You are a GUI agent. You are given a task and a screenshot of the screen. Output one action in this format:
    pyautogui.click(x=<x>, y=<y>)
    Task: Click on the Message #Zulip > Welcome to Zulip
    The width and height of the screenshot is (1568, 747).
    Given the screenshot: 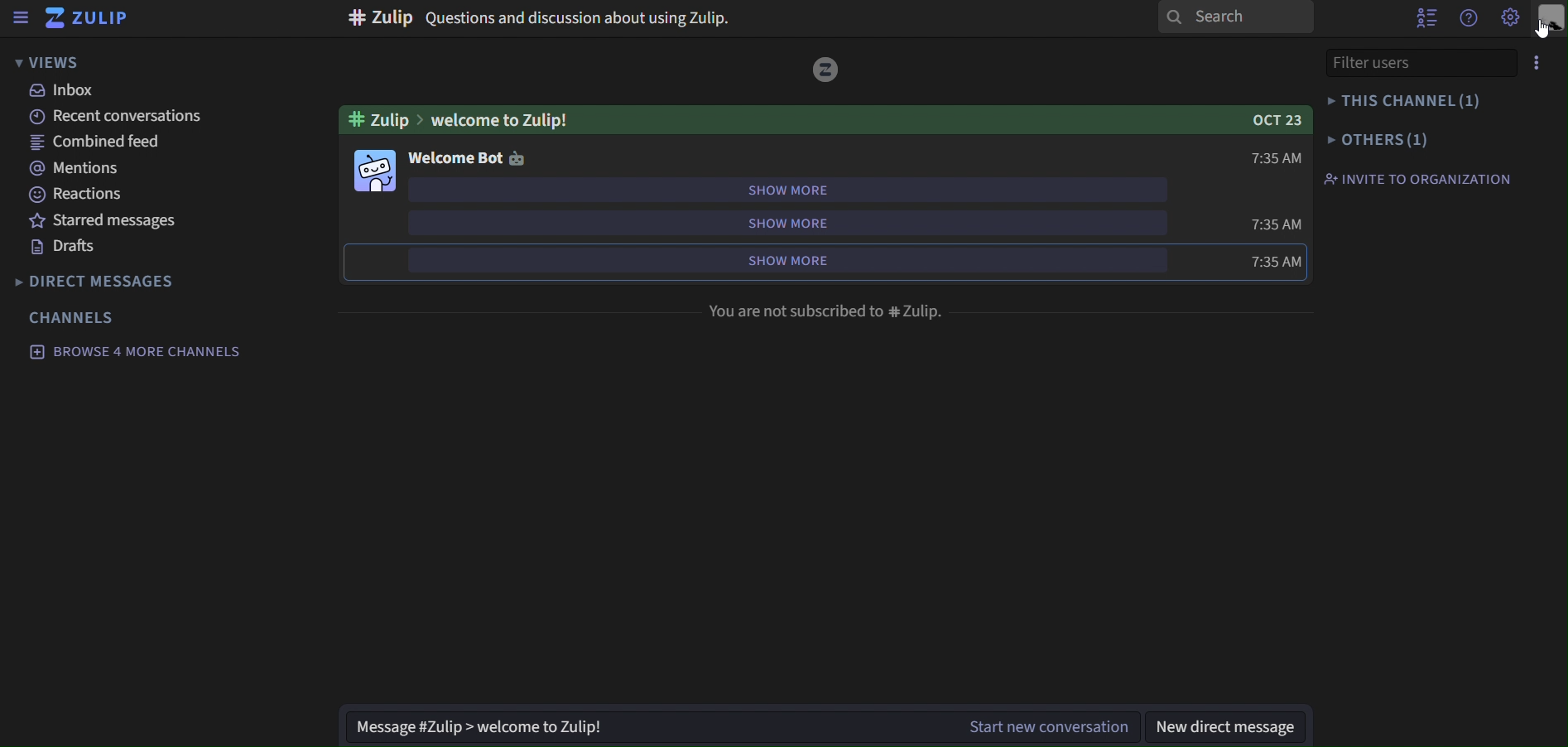 What is the action you would take?
    pyautogui.click(x=645, y=727)
    